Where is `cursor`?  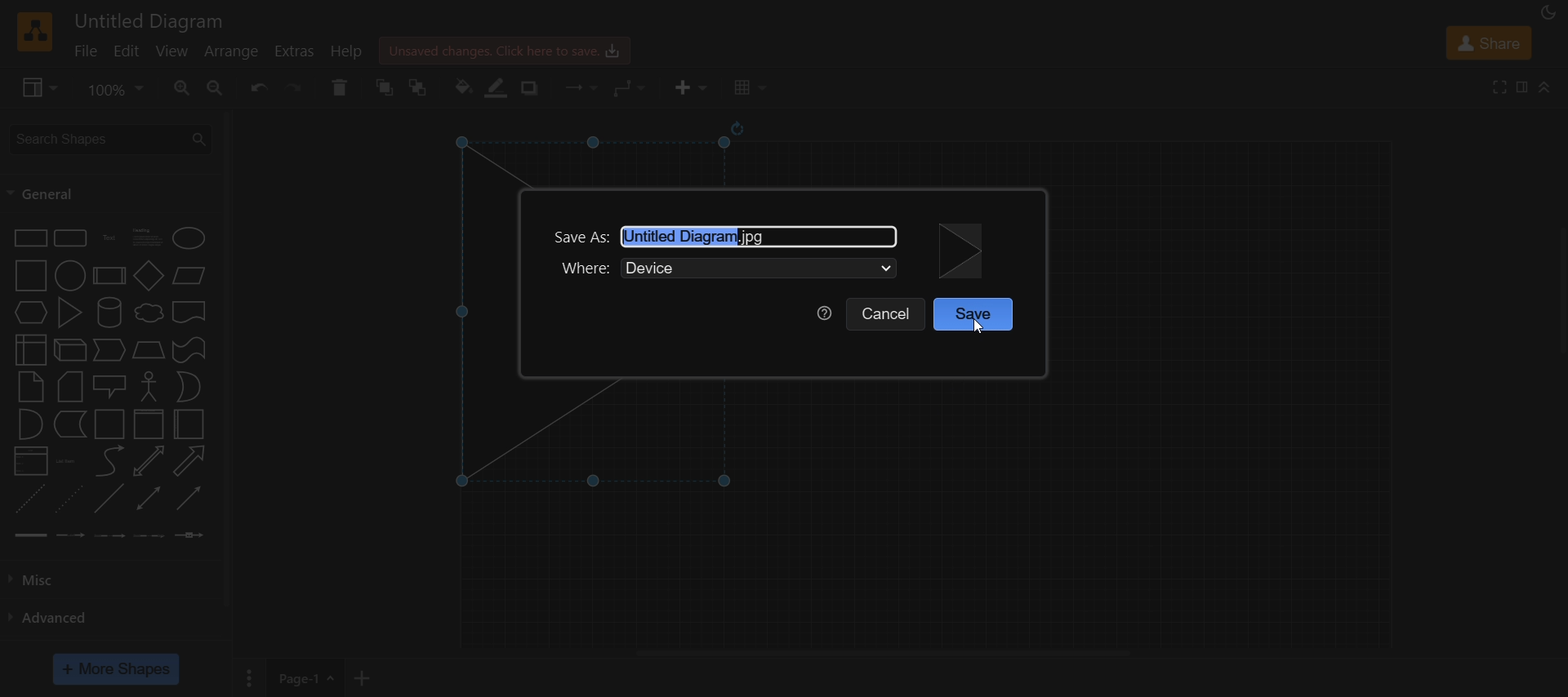 cursor is located at coordinates (977, 327).